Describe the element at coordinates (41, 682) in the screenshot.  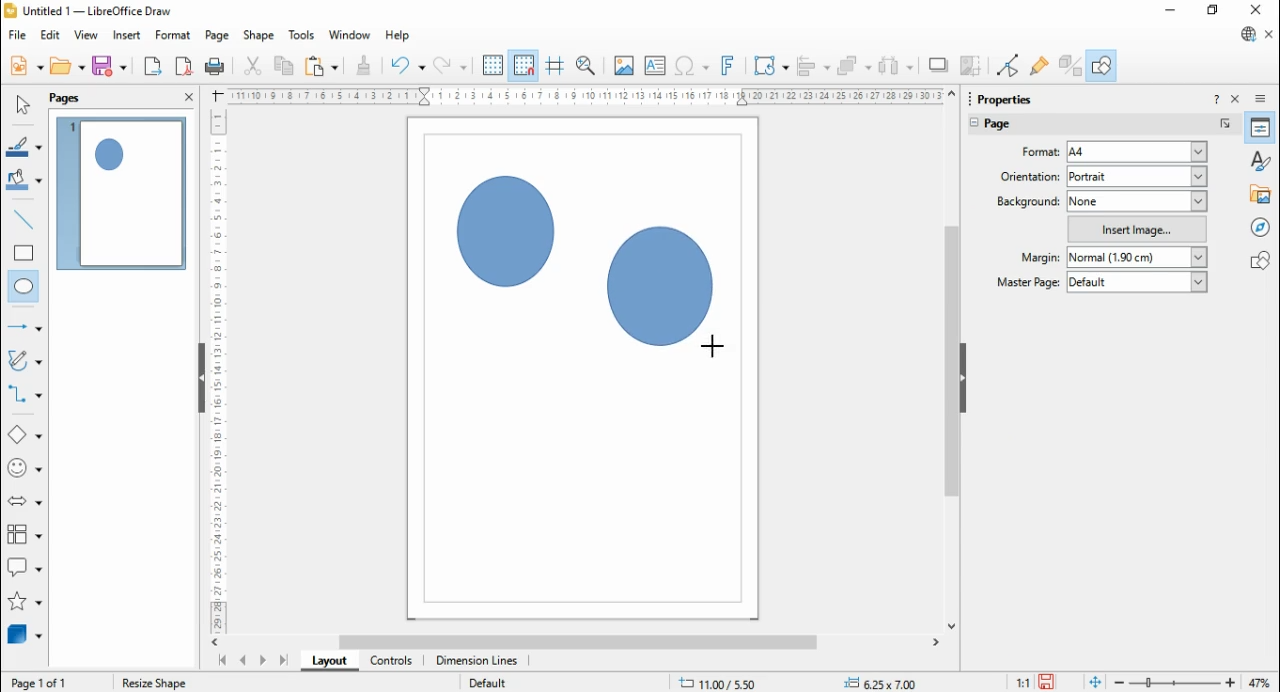
I see `Page 10f 1` at that location.